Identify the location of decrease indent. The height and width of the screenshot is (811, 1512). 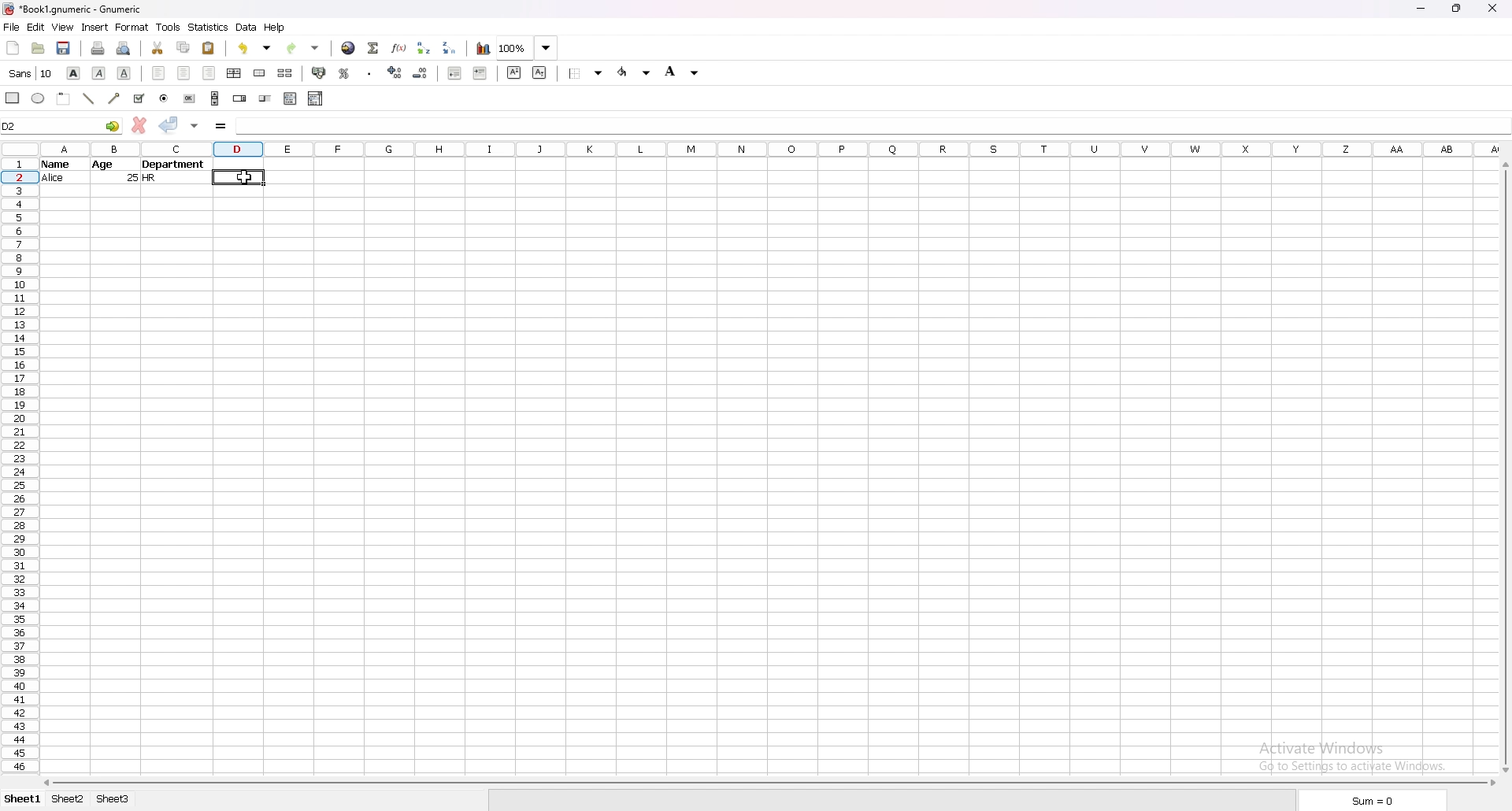
(454, 73).